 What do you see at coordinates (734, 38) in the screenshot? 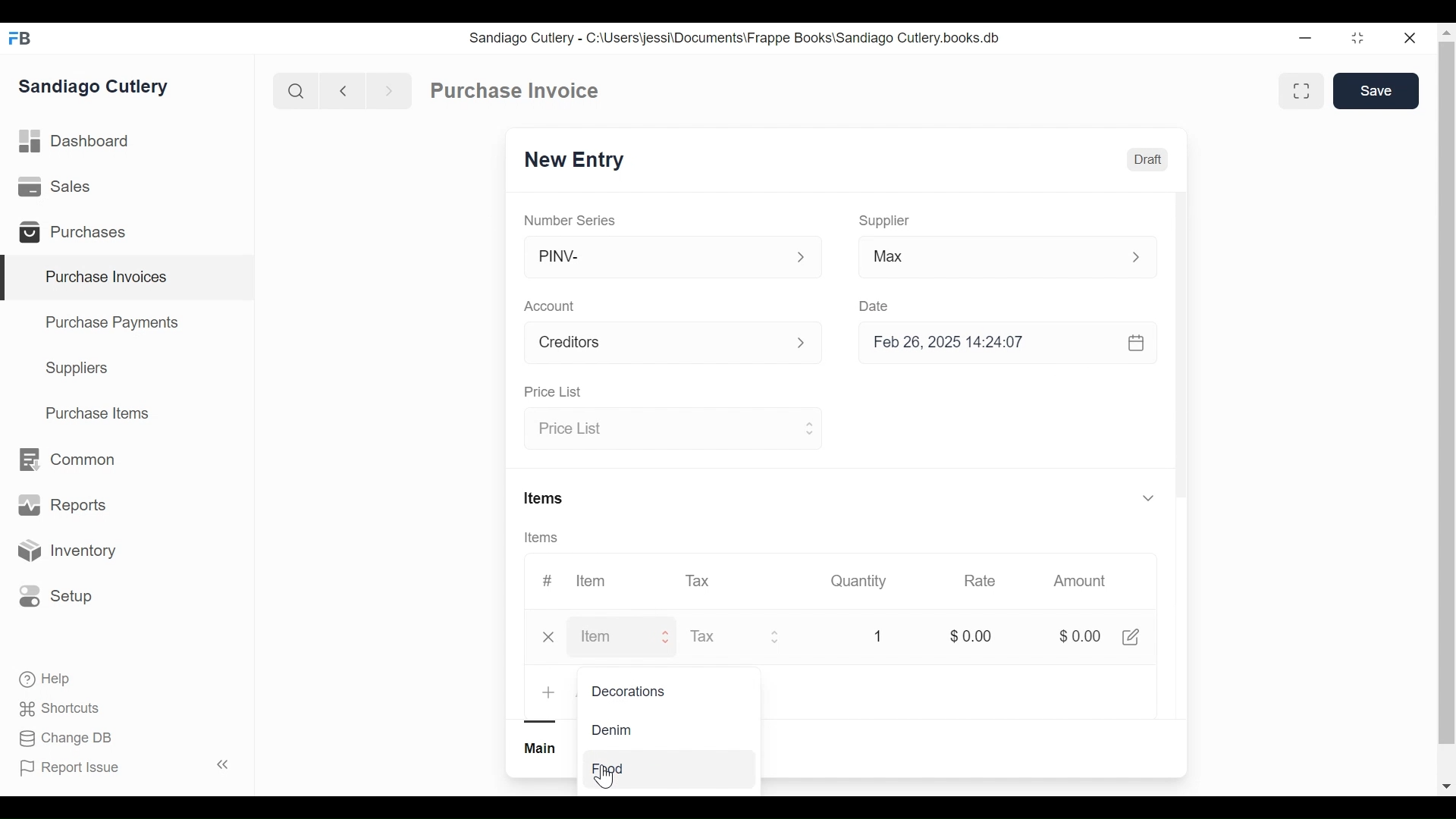
I see `Sandiago Cutlery - C:\Users\jessi\Documents\Frappe Books\Sandiago Cutlery.books.db` at bounding box center [734, 38].